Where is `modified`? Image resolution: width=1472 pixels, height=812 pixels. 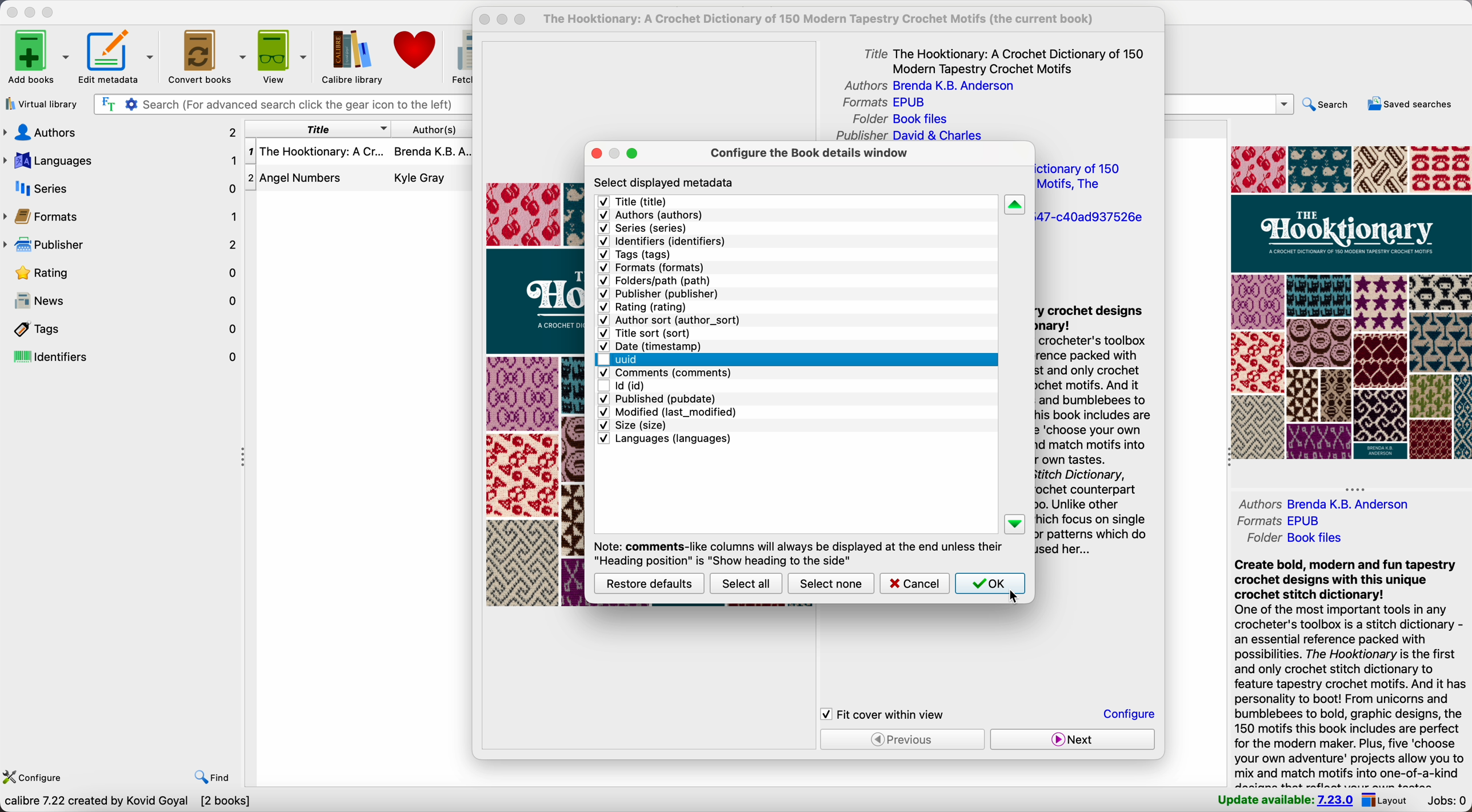 modified is located at coordinates (667, 411).